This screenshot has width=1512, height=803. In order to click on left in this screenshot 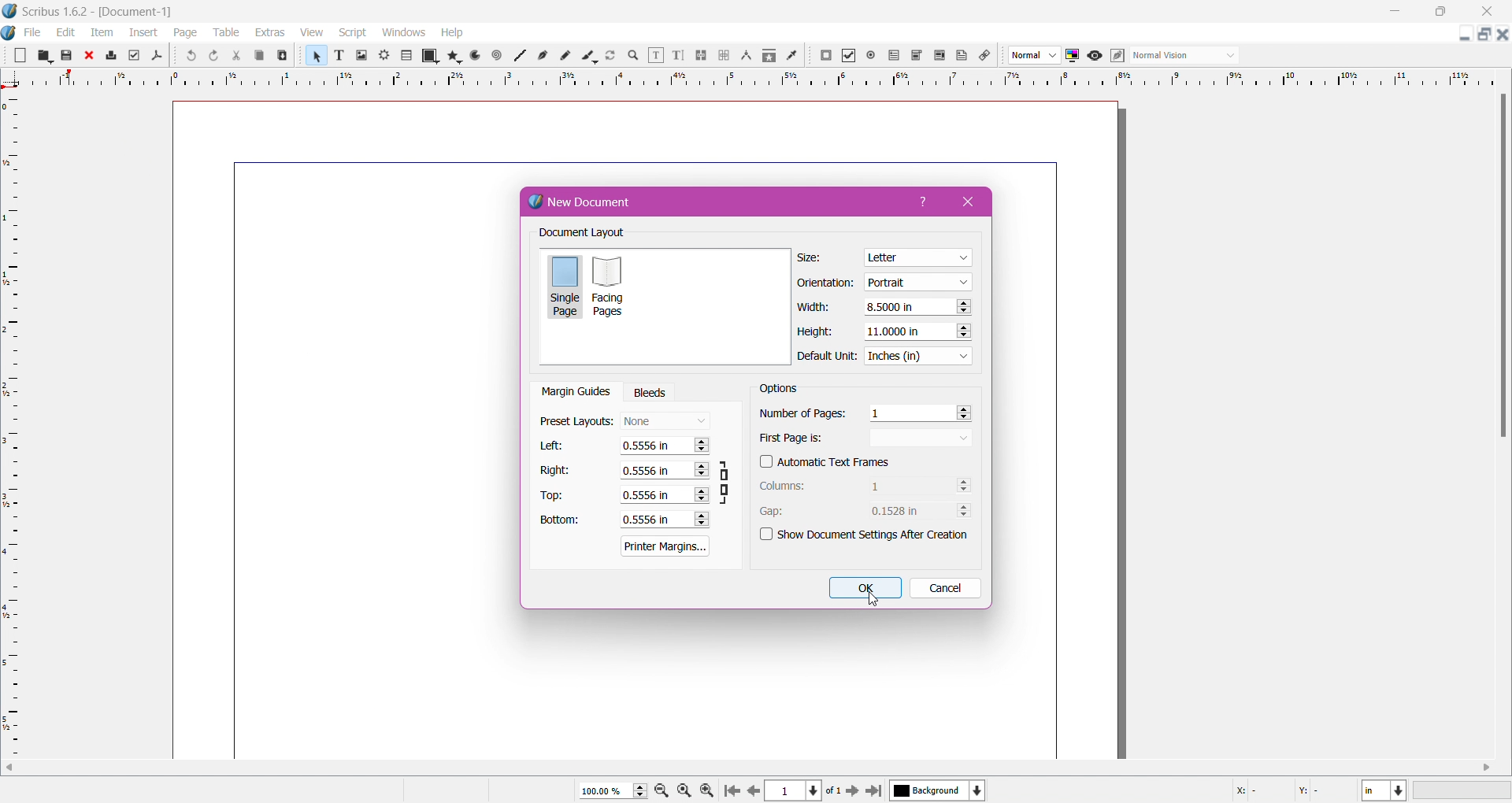, I will do `click(558, 446)`.